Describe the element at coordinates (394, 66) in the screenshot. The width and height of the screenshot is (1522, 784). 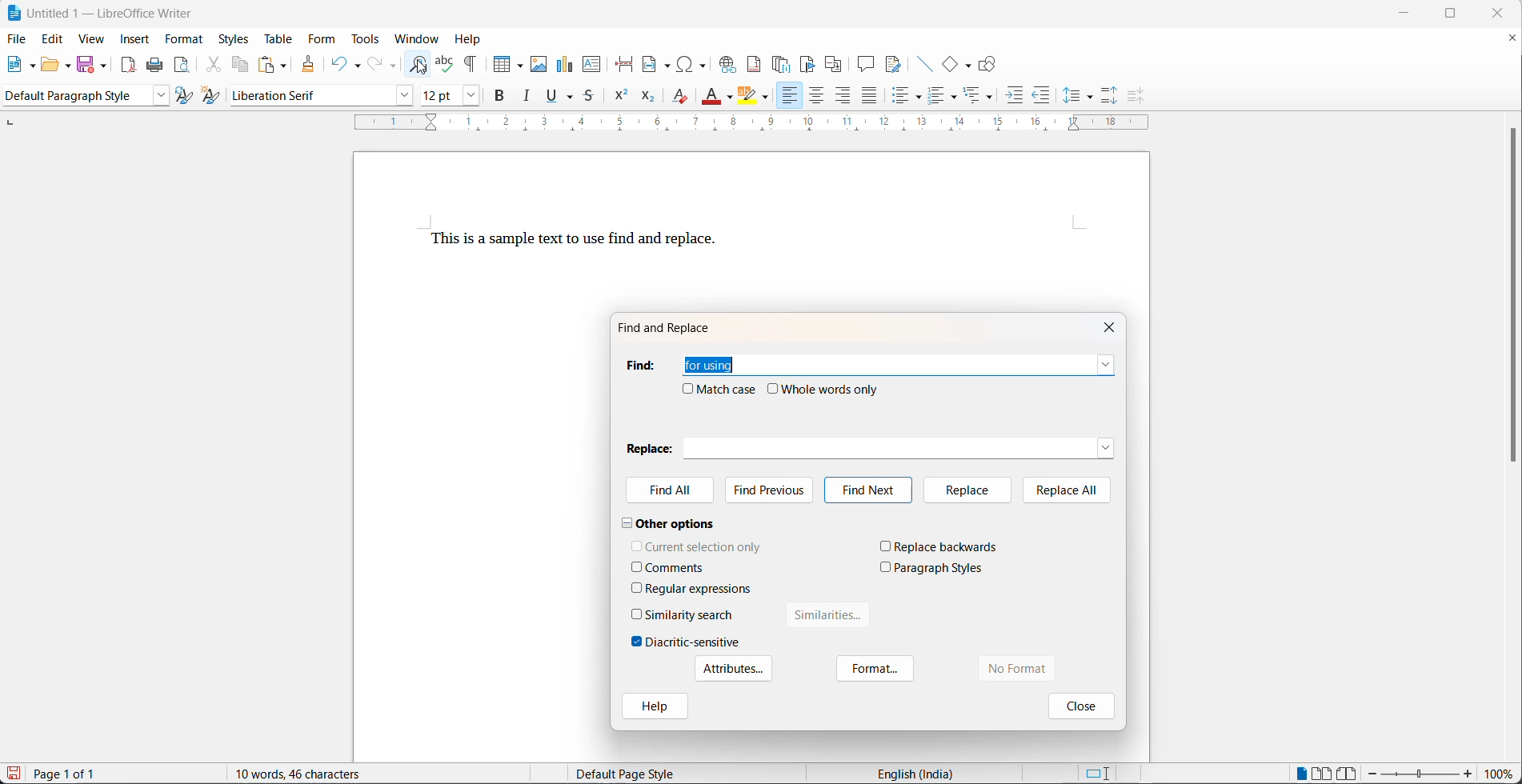
I see `redo options` at that location.